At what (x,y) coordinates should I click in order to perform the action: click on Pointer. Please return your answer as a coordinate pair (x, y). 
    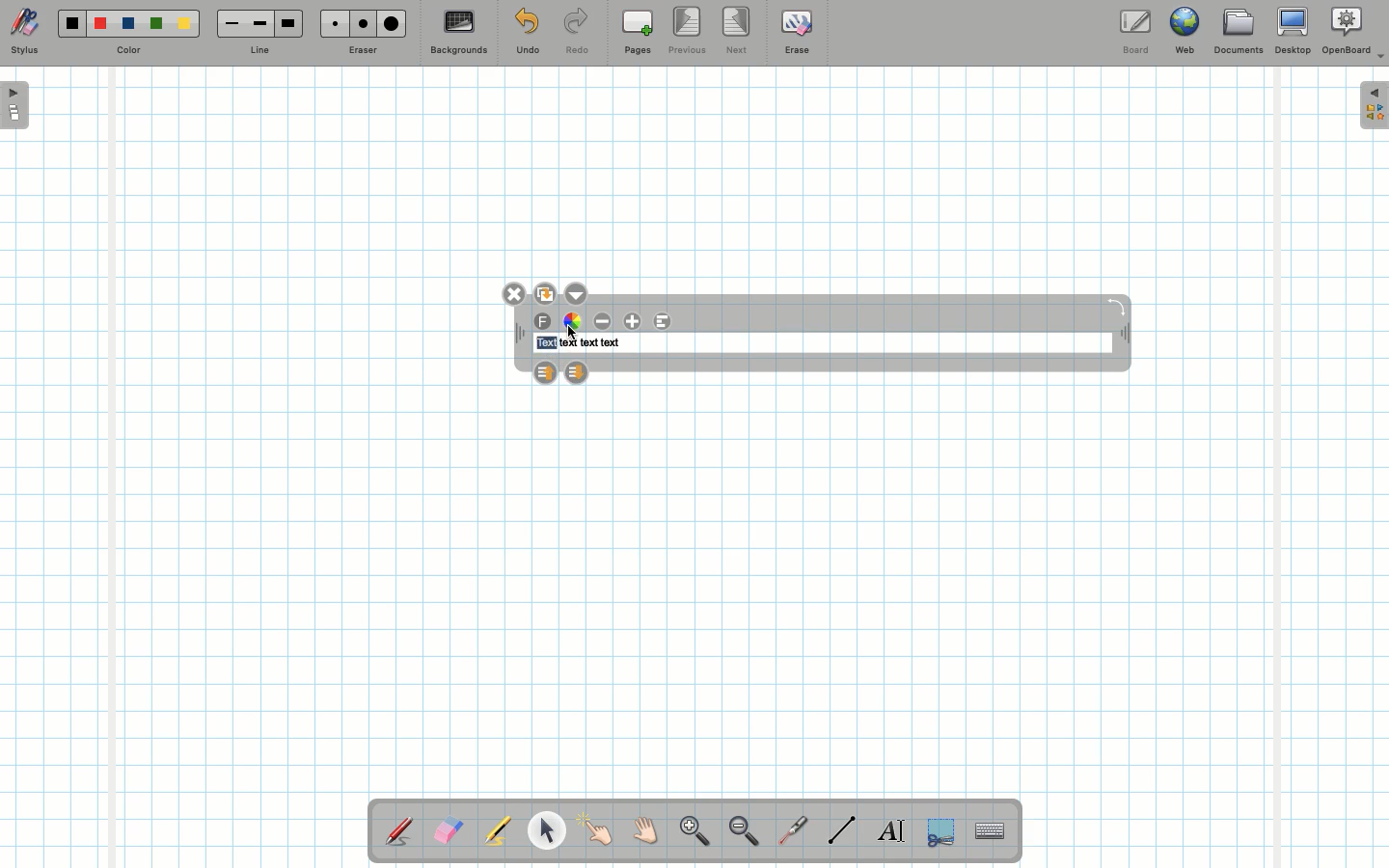
    Looking at the image, I should click on (596, 830).